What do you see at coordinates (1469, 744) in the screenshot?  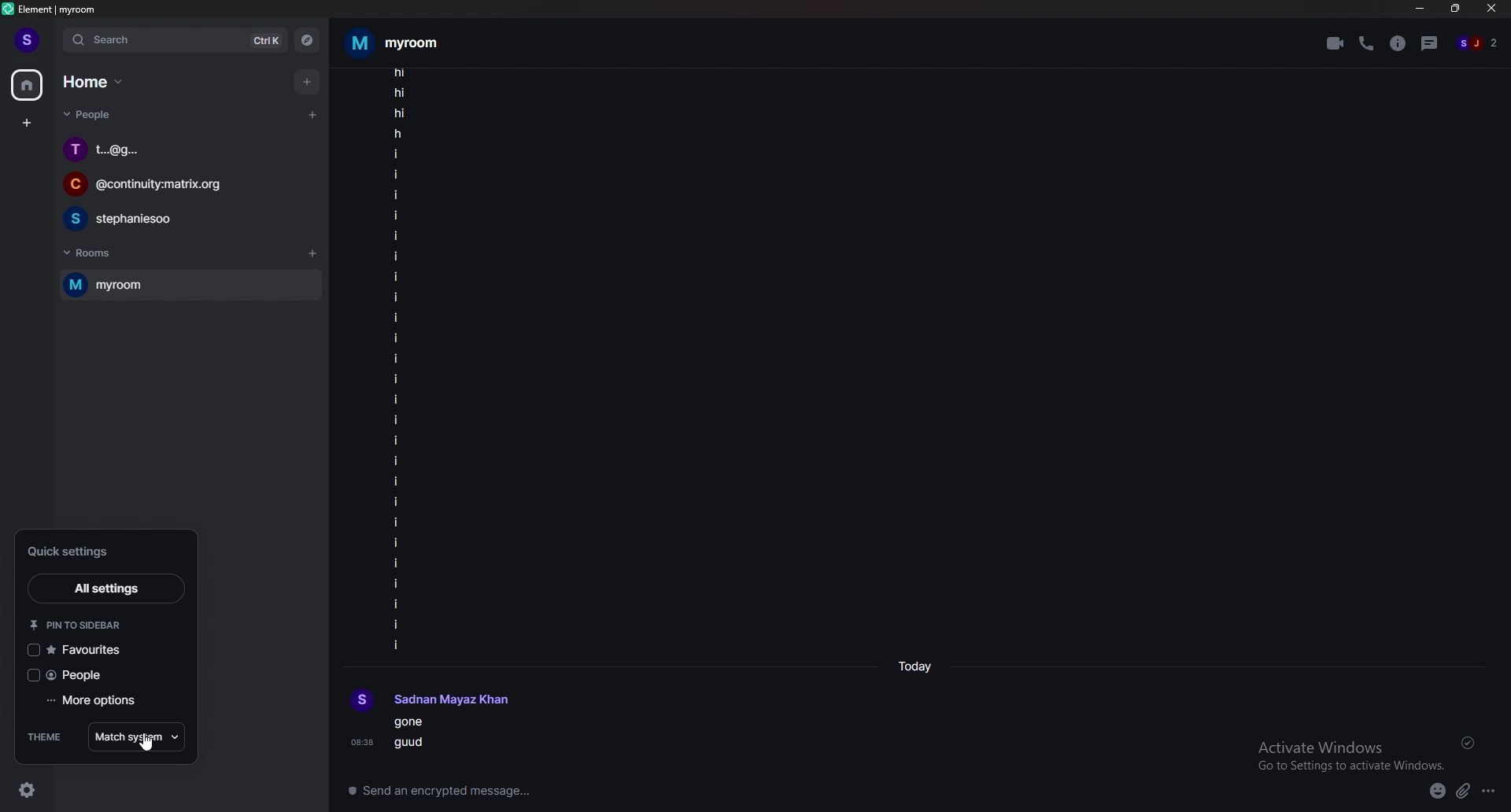 I see `delivered` at bounding box center [1469, 744].